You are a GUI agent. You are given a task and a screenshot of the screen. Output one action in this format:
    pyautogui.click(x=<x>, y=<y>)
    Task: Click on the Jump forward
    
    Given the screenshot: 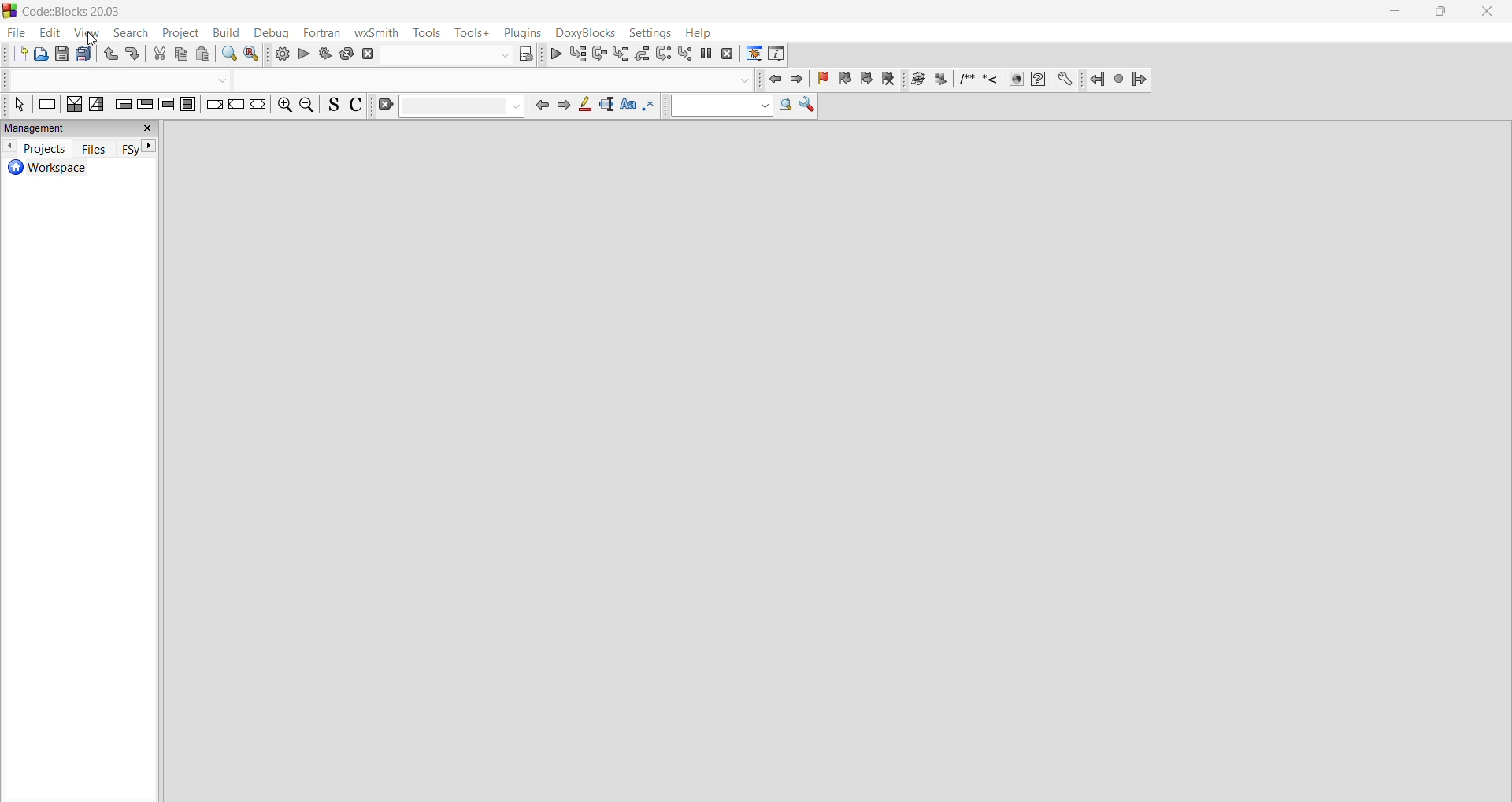 What is the action you would take?
    pyautogui.click(x=1143, y=80)
    